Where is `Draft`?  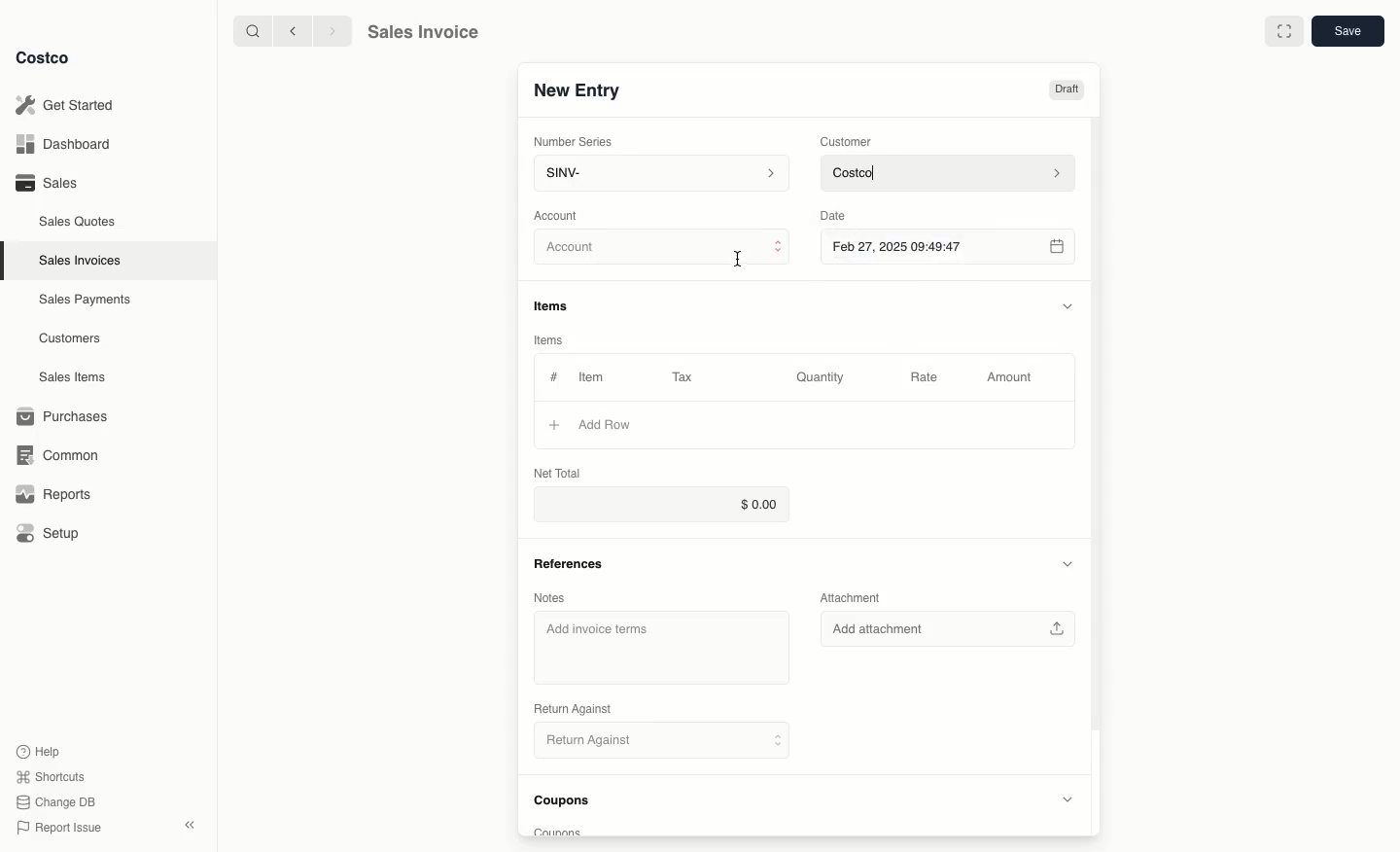
Draft is located at coordinates (1067, 90).